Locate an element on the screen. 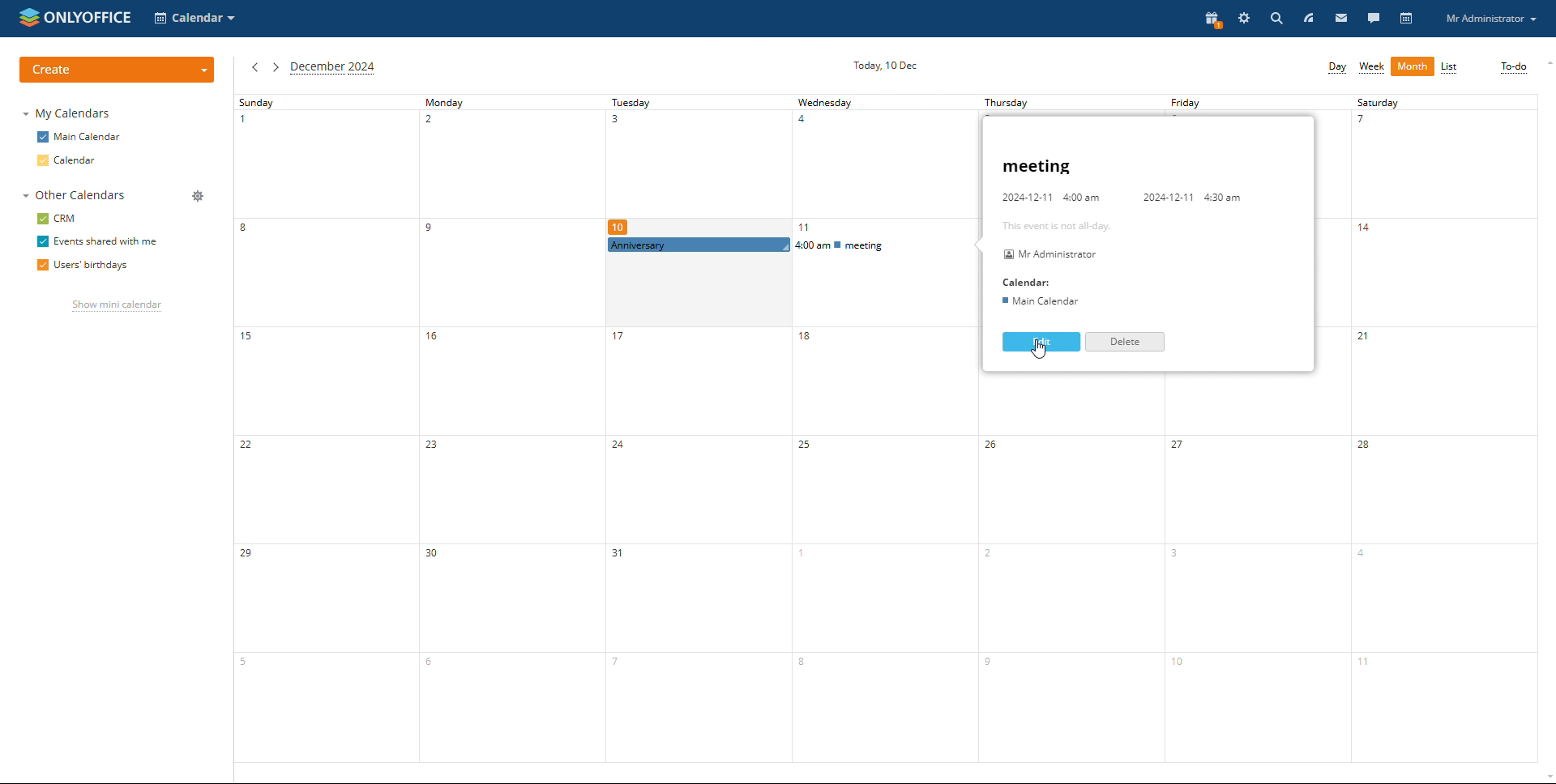 The height and width of the screenshot is (784, 1556). h | ‘This event is not all-day. is located at coordinates (1058, 226).